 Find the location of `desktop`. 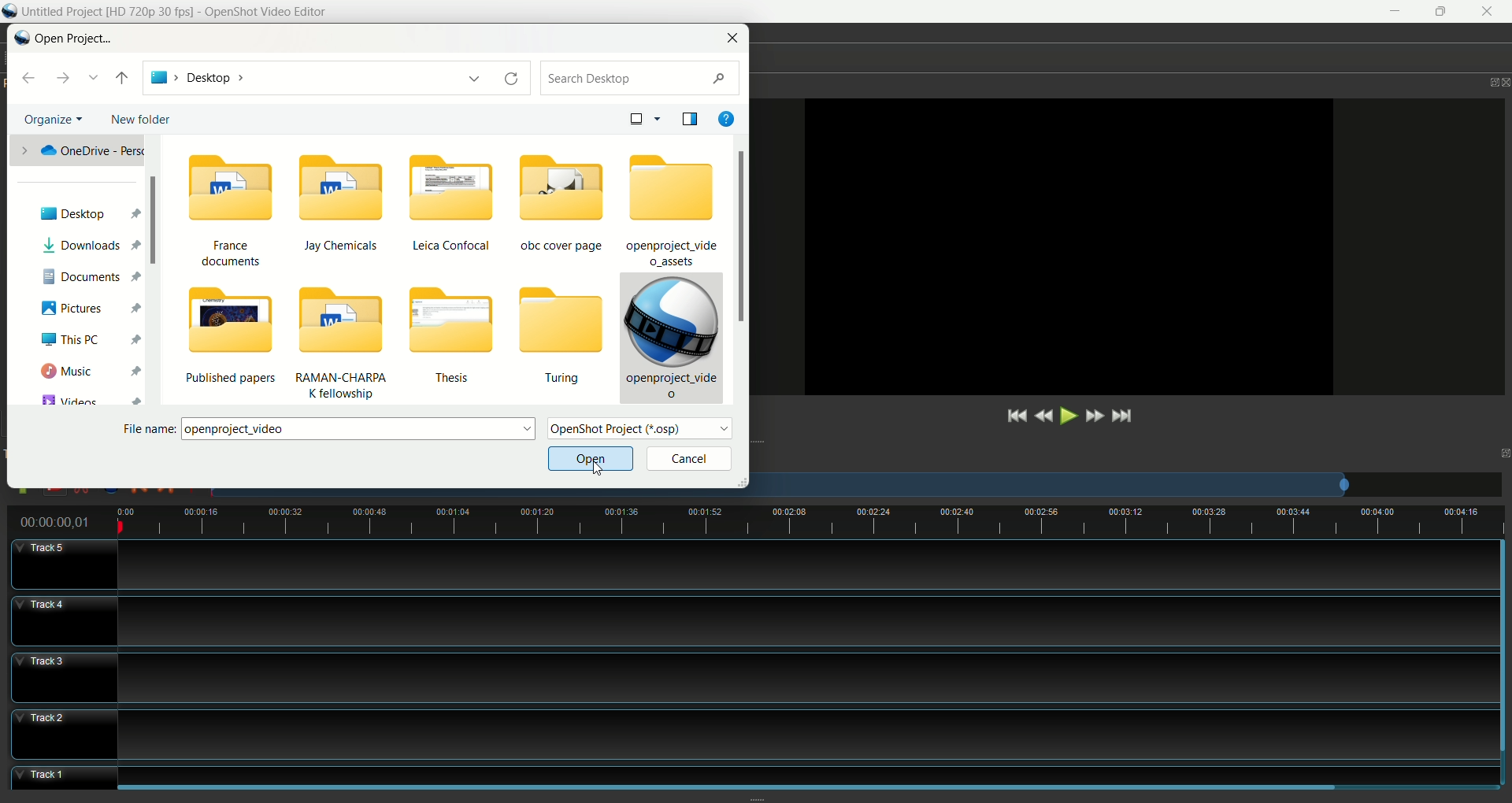

desktop is located at coordinates (91, 208).